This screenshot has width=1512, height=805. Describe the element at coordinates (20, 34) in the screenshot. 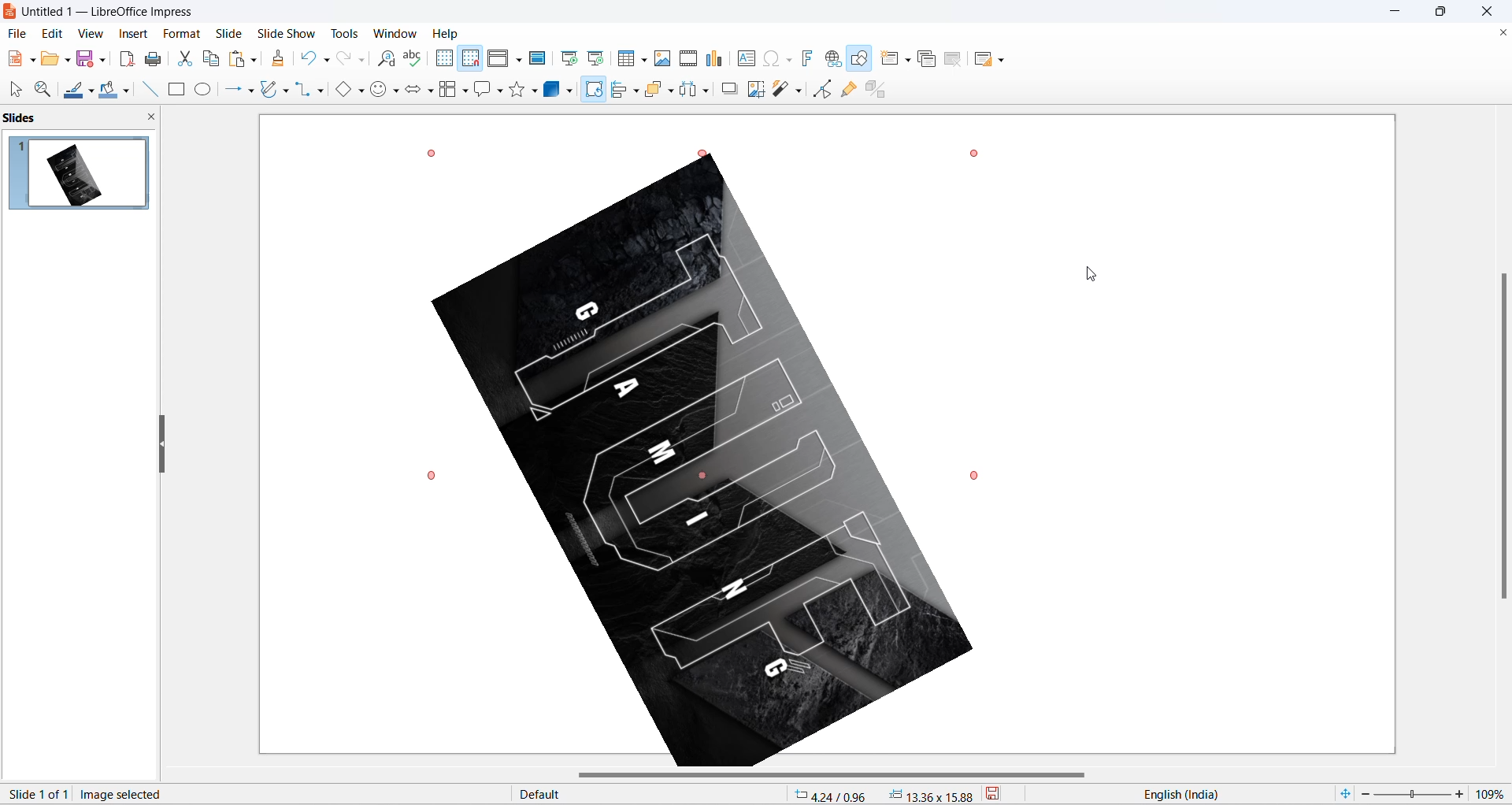

I see `` at that location.